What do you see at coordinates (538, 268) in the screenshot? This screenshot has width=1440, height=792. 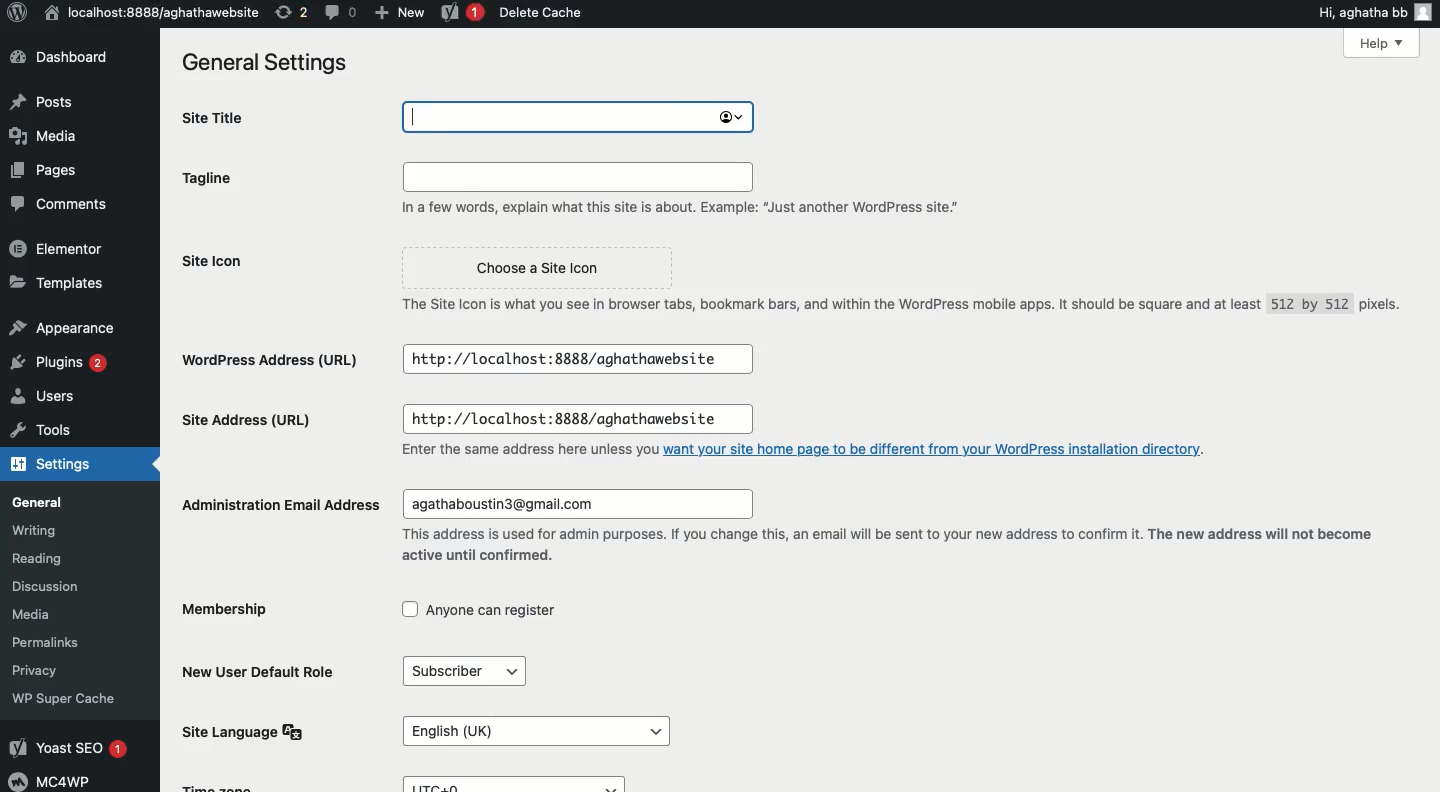 I see `Choose a Site Icon` at bounding box center [538, 268].